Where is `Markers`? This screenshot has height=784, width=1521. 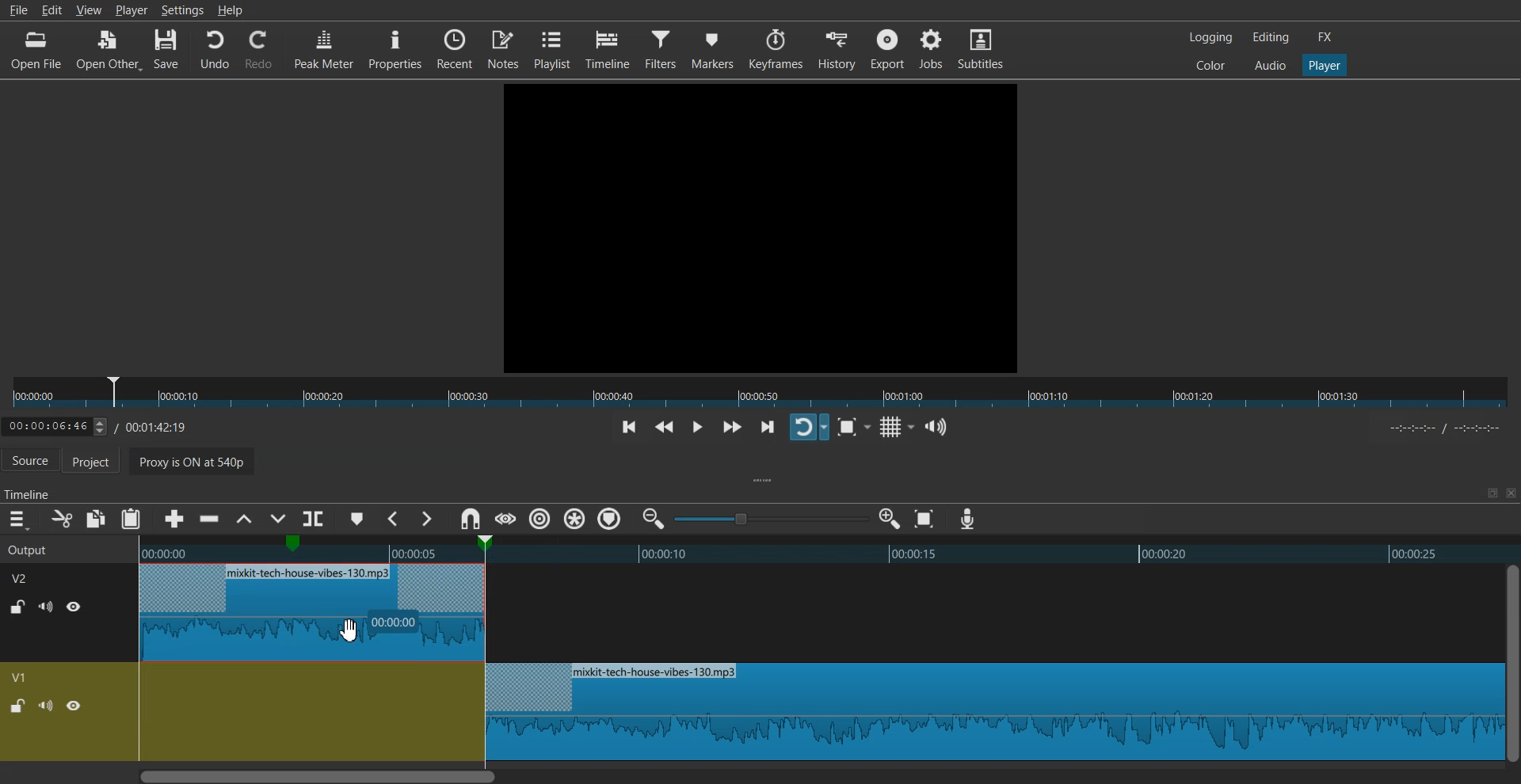 Markers is located at coordinates (713, 48).